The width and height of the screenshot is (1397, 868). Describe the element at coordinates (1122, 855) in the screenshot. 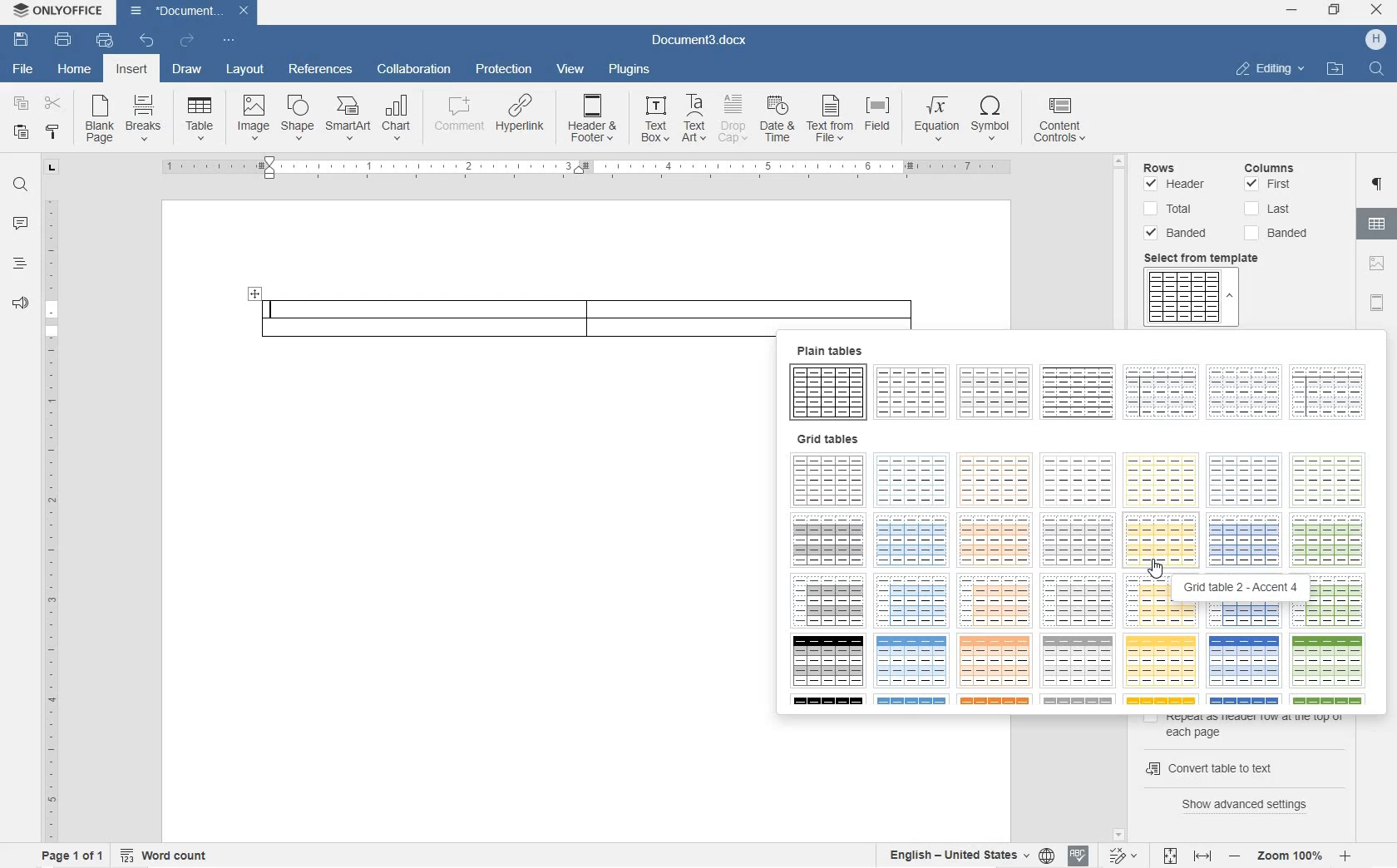

I see `TRACK CHANGES` at that location.